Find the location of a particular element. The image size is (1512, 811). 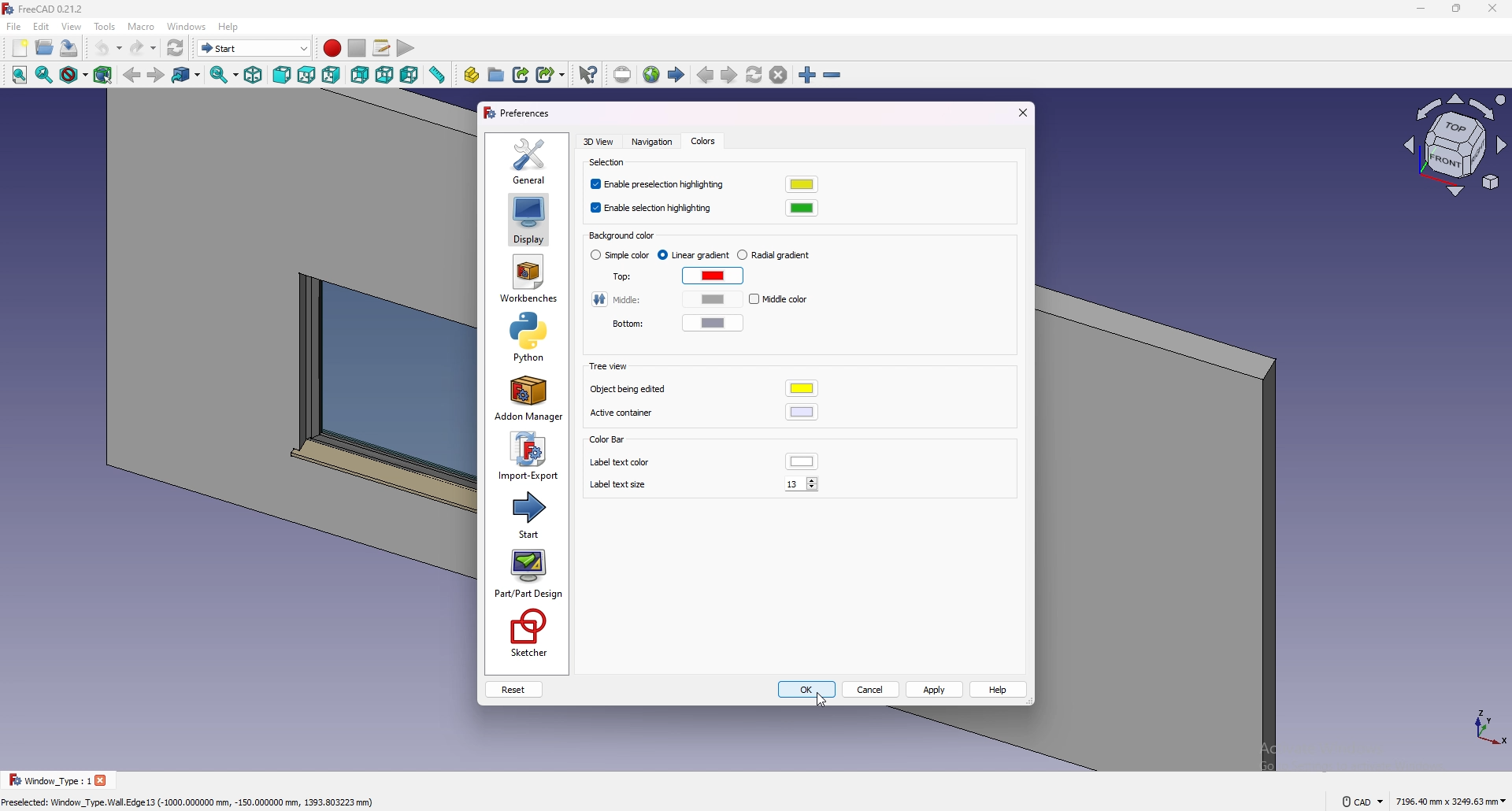

middle is located at coordinates (618, 299).